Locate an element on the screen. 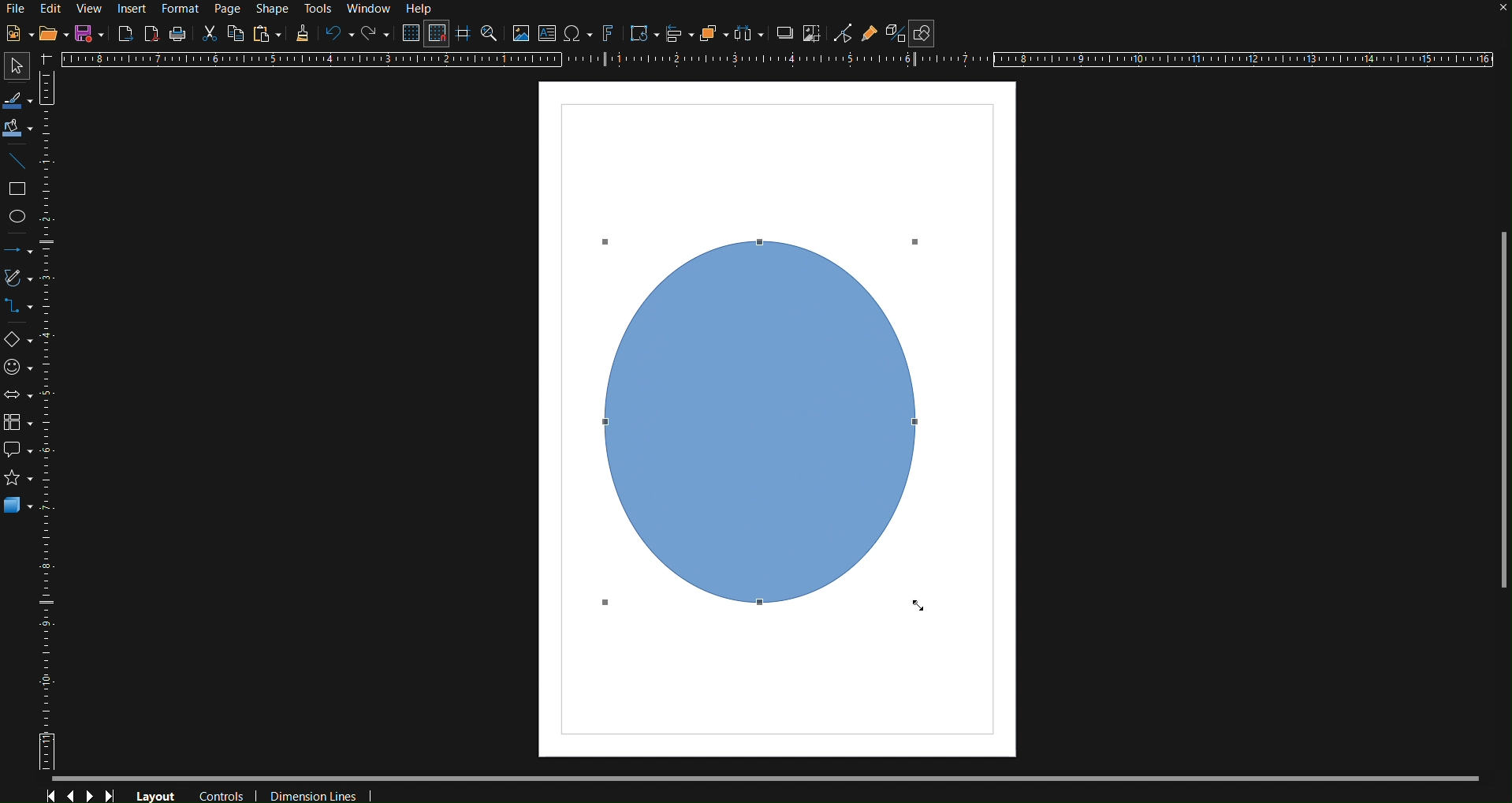  Align Objects is located at coordinates (679, 35).